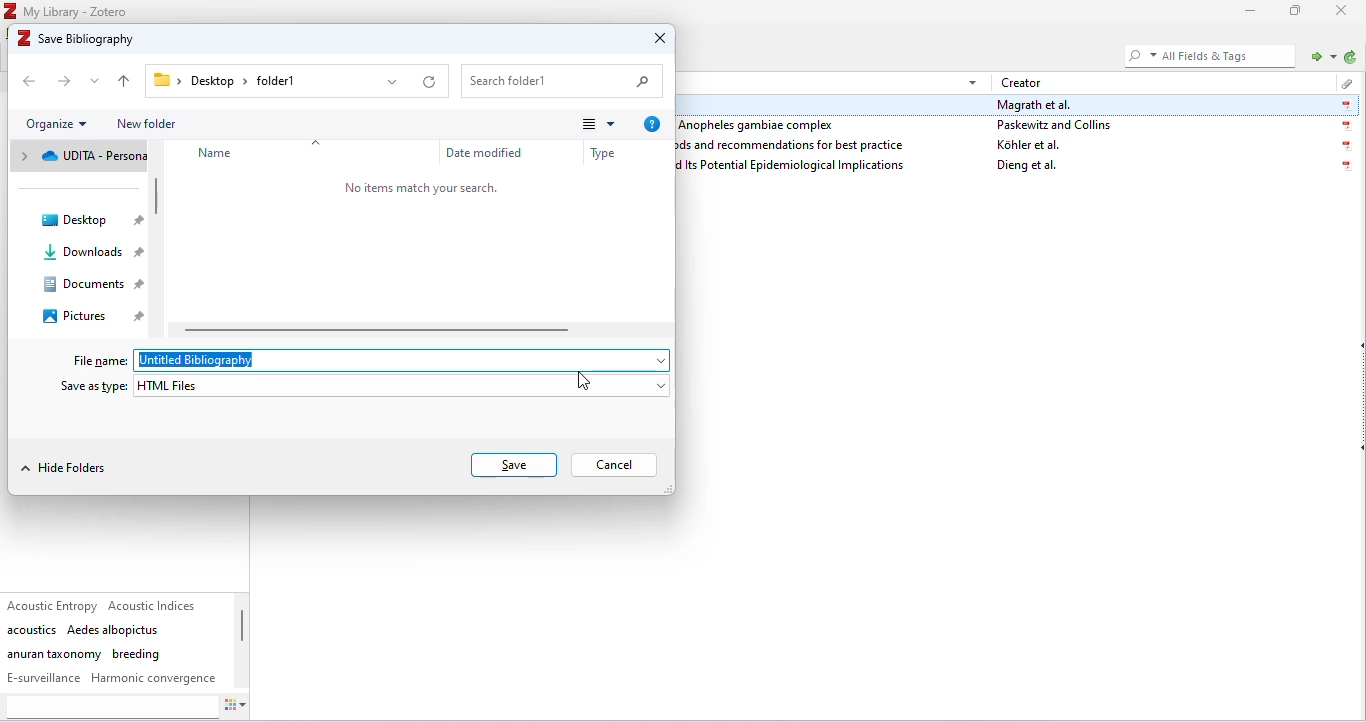  What do you see at coordinates (244, 628) in the screenshot?
I see `vertical scroll bar` at bounding box center [244, 628].